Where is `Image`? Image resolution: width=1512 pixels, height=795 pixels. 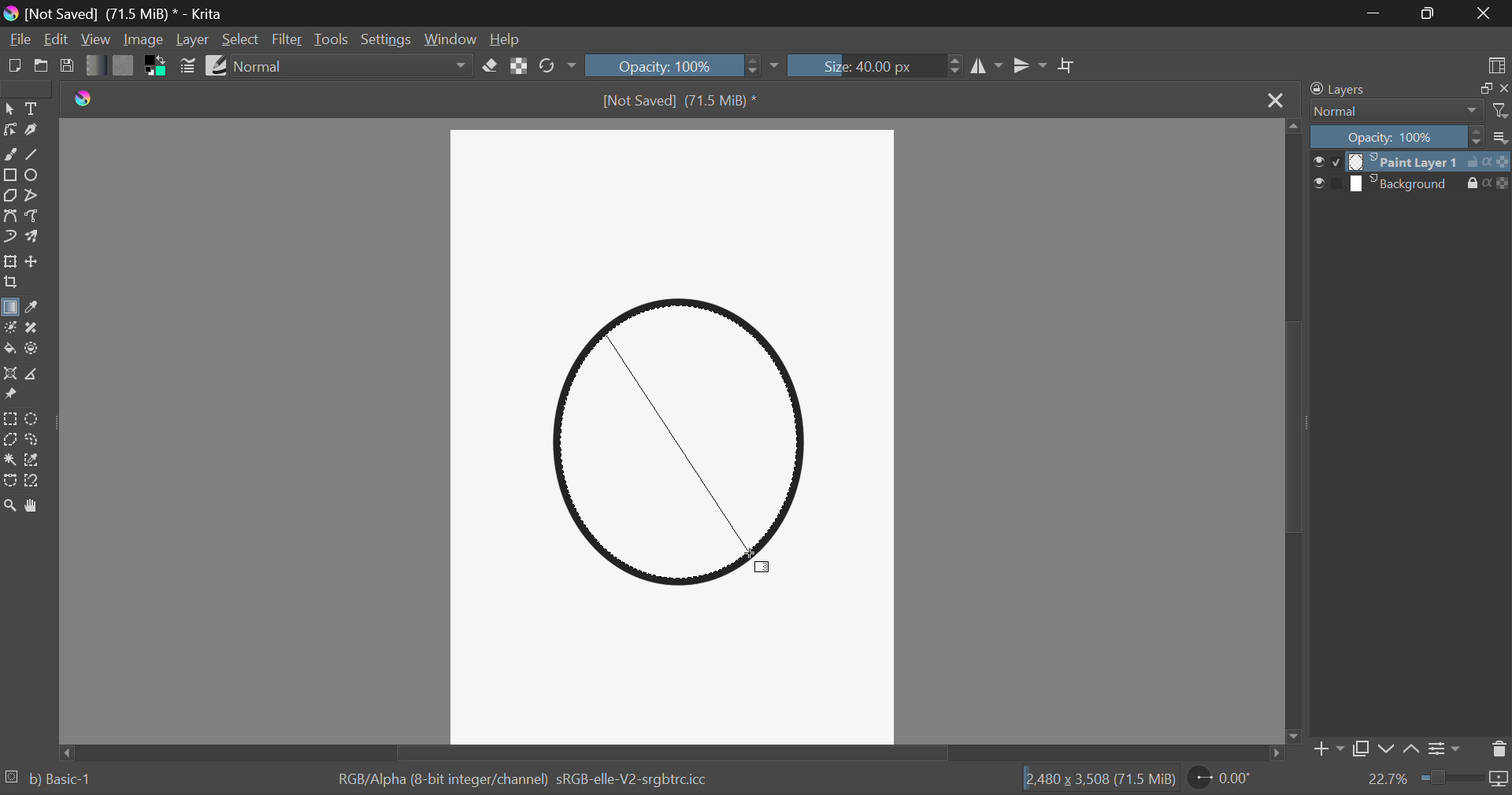
Image is located at coordinates (145, 41).